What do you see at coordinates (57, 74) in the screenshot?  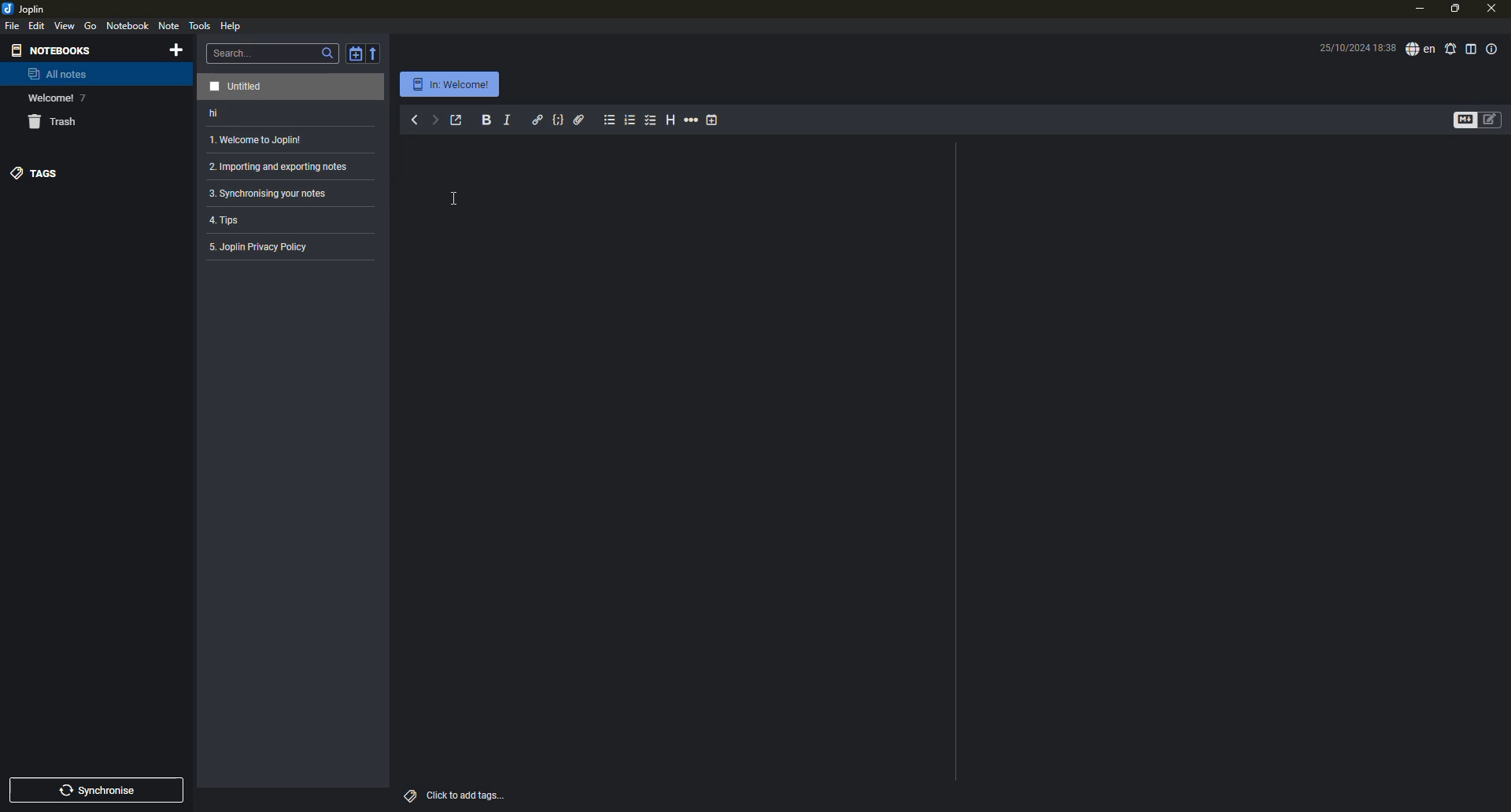 I see `all notes` at bounding box center [57, 74].